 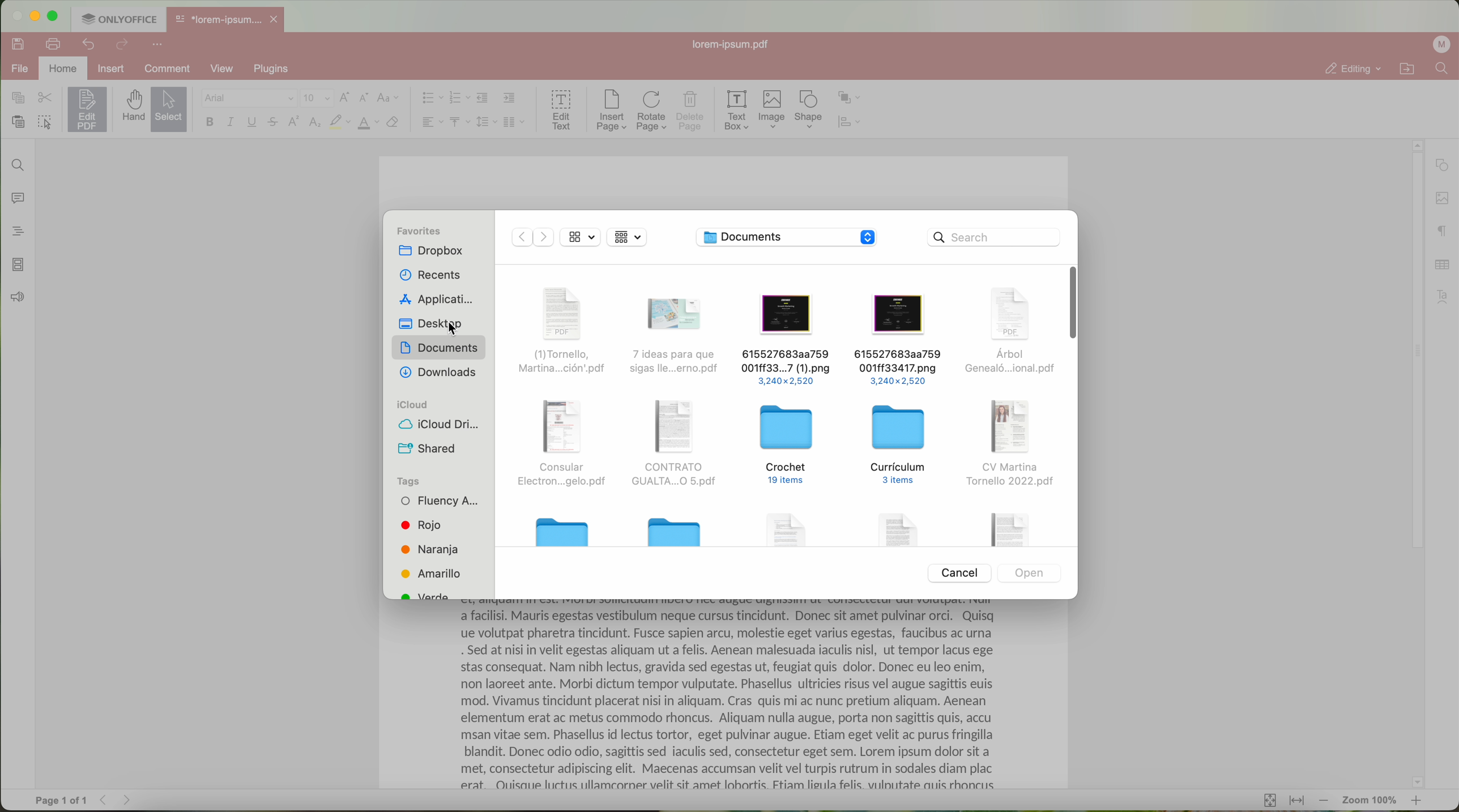 What do you see at coordinates (560, 331) in the screenshot?
I see `(1) Tornello,Martina...cién".pdf` at bounding box center [560, 331].